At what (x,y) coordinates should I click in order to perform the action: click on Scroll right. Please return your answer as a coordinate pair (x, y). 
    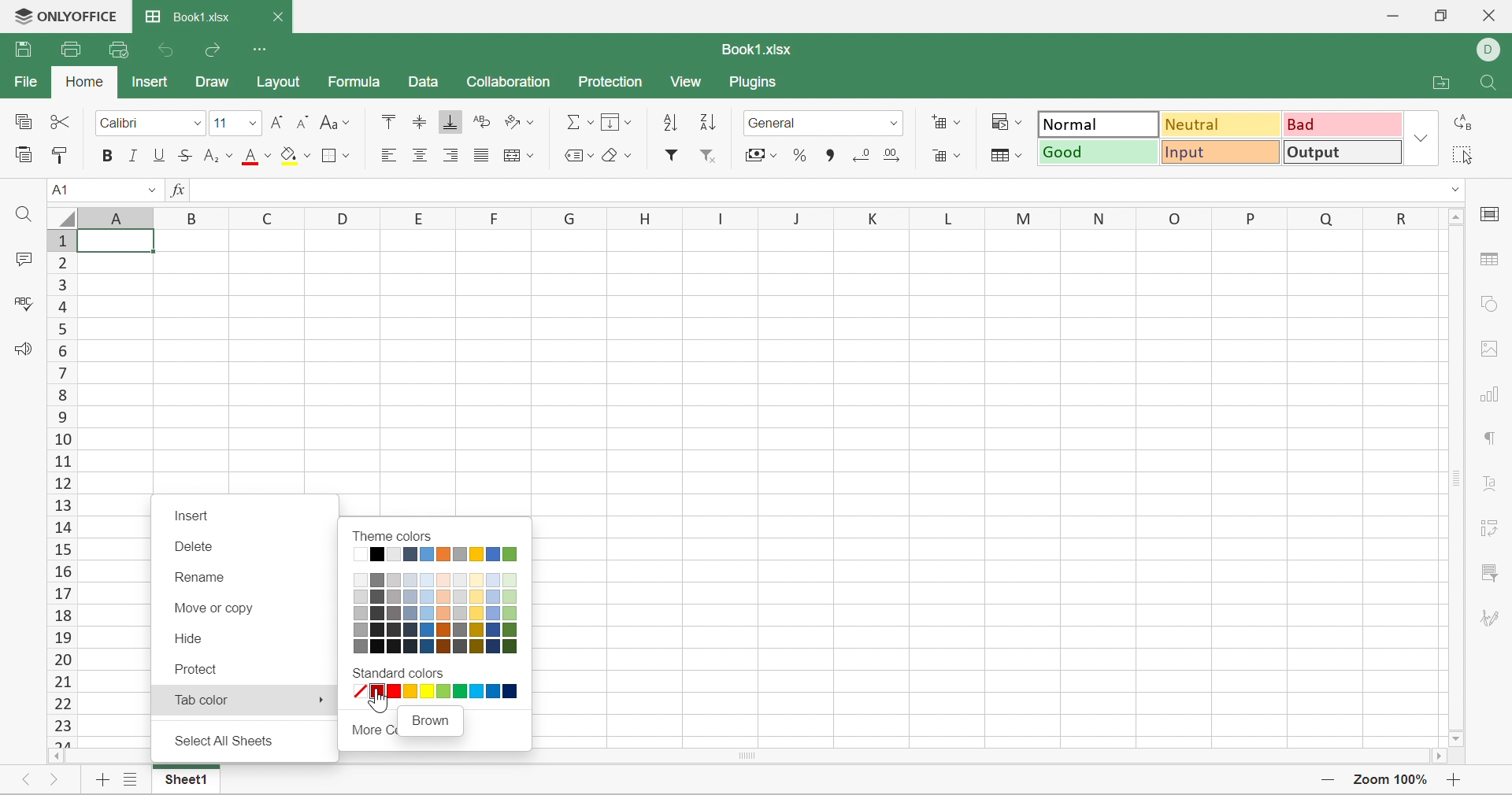
    Looking at the image, I should click on (1435, 755).